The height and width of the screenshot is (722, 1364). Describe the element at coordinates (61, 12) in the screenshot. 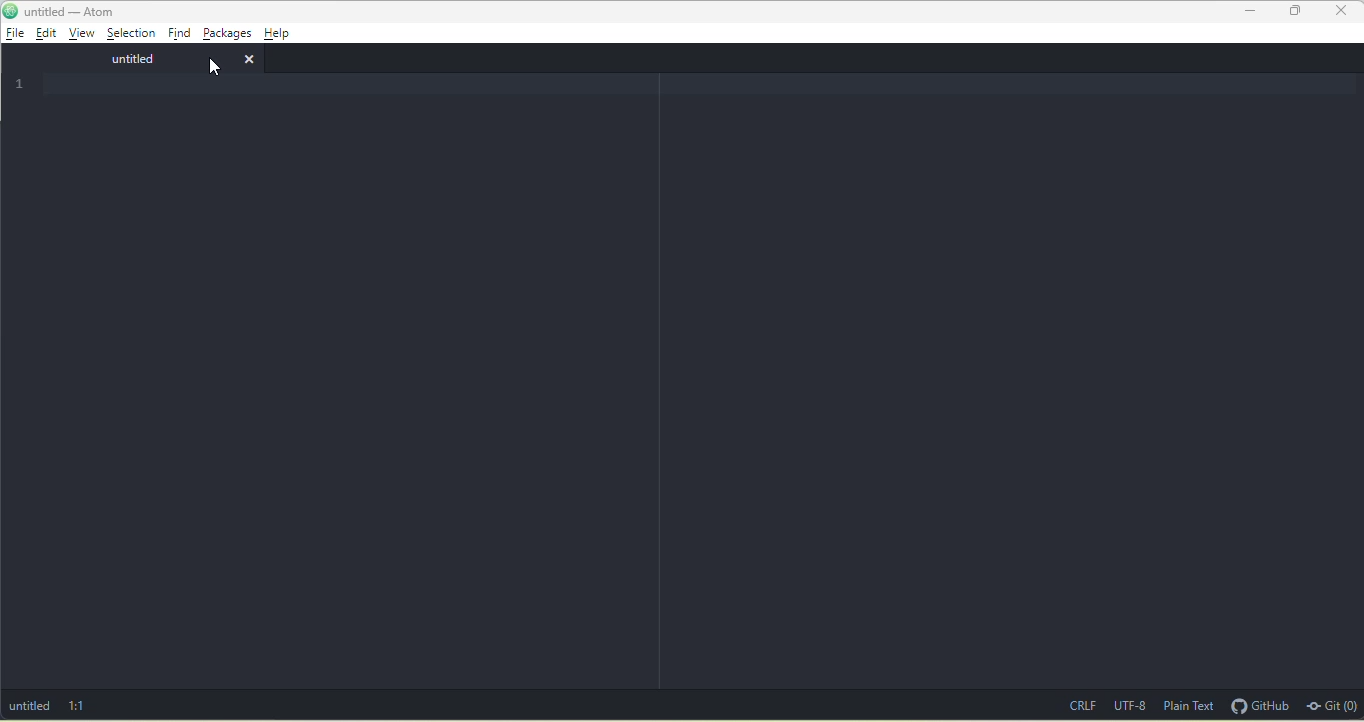

I see `title` at that location.